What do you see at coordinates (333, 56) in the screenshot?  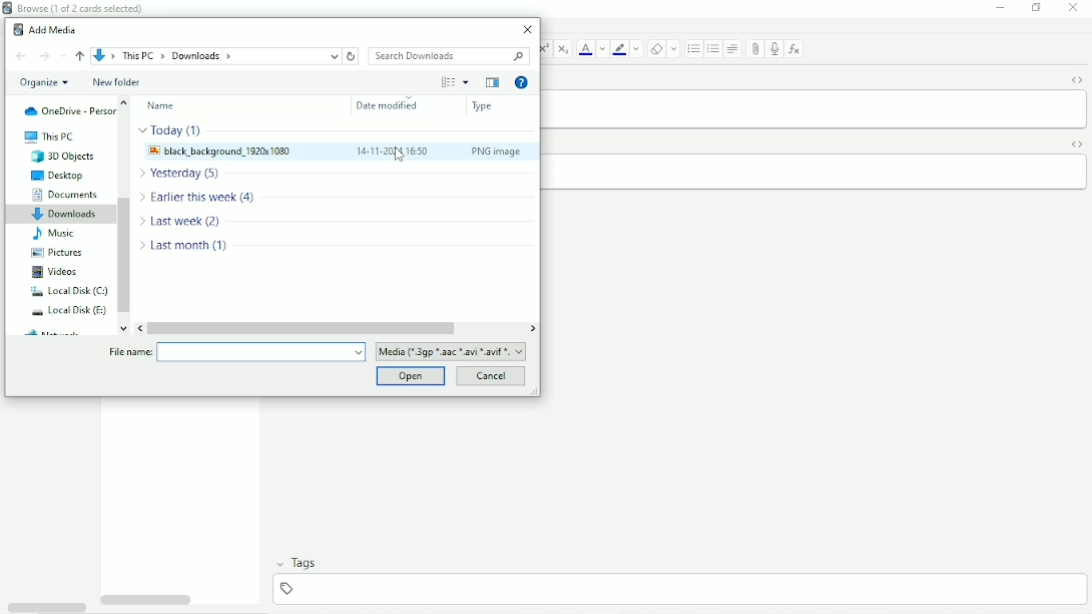 I see `up to current location` at bounding box center [333, 56].